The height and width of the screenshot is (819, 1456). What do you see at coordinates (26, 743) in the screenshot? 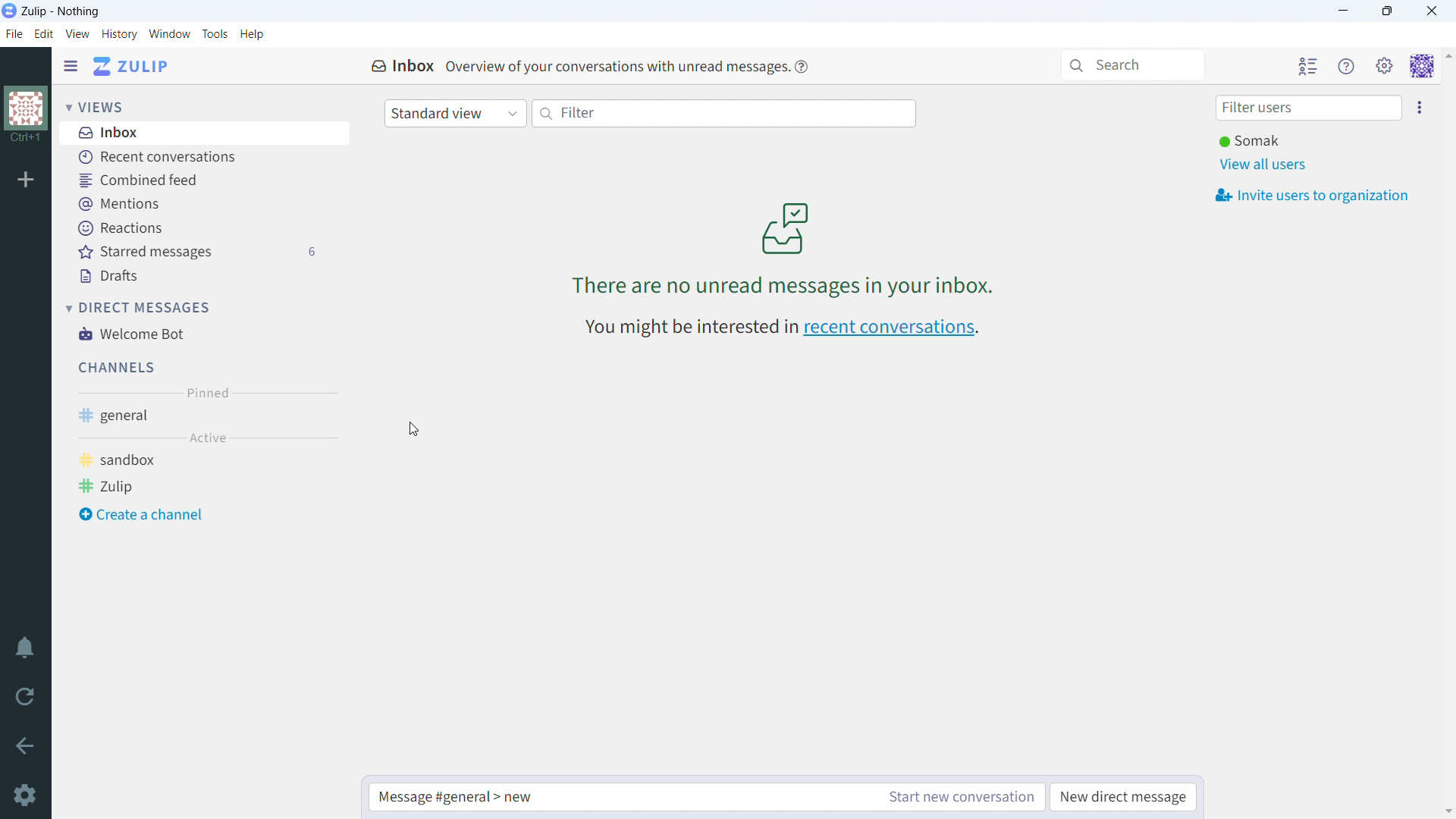
I see `go back` at bounding box center [26, 743].